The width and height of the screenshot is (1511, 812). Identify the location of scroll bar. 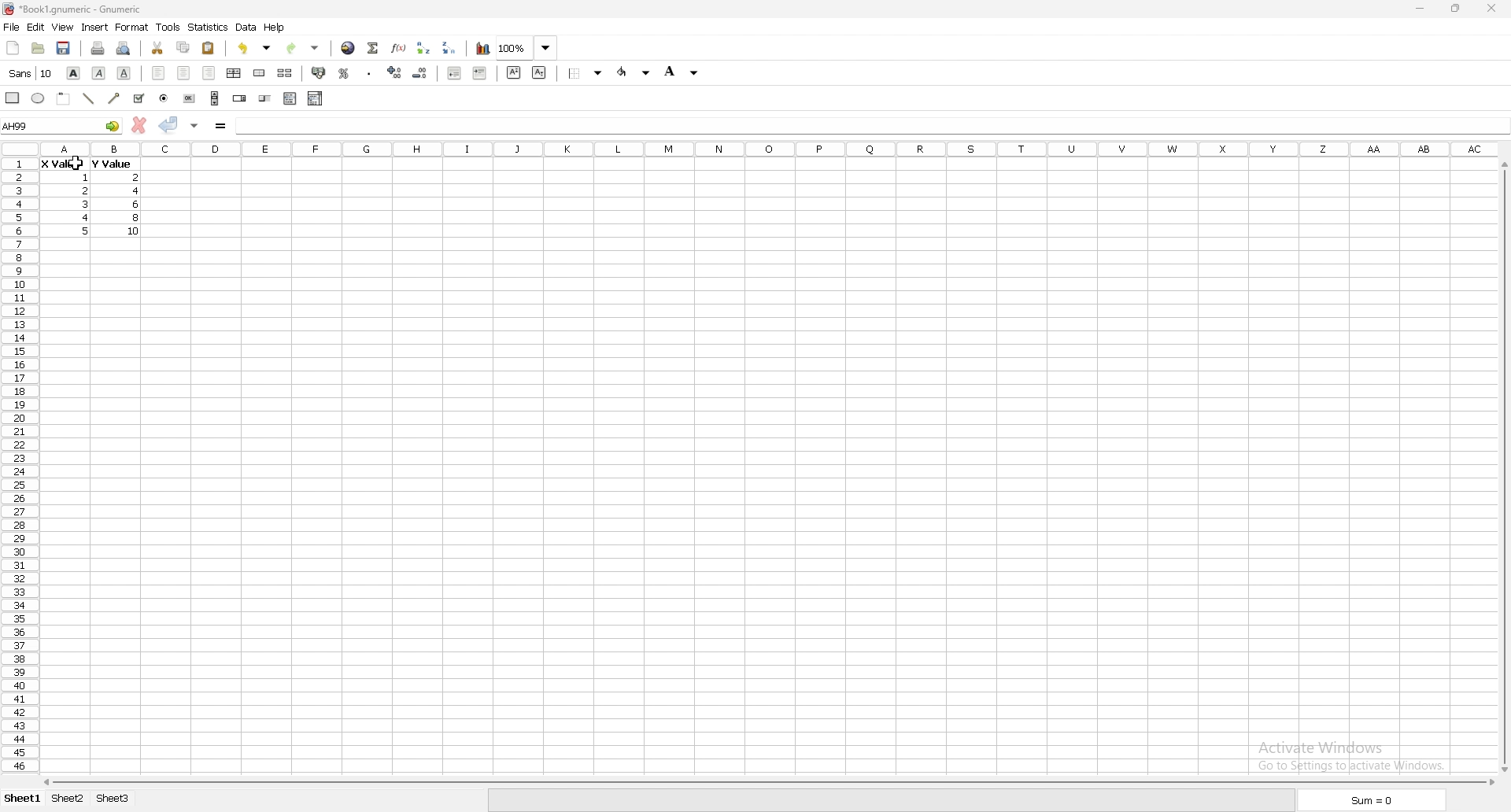
(1502, 467).